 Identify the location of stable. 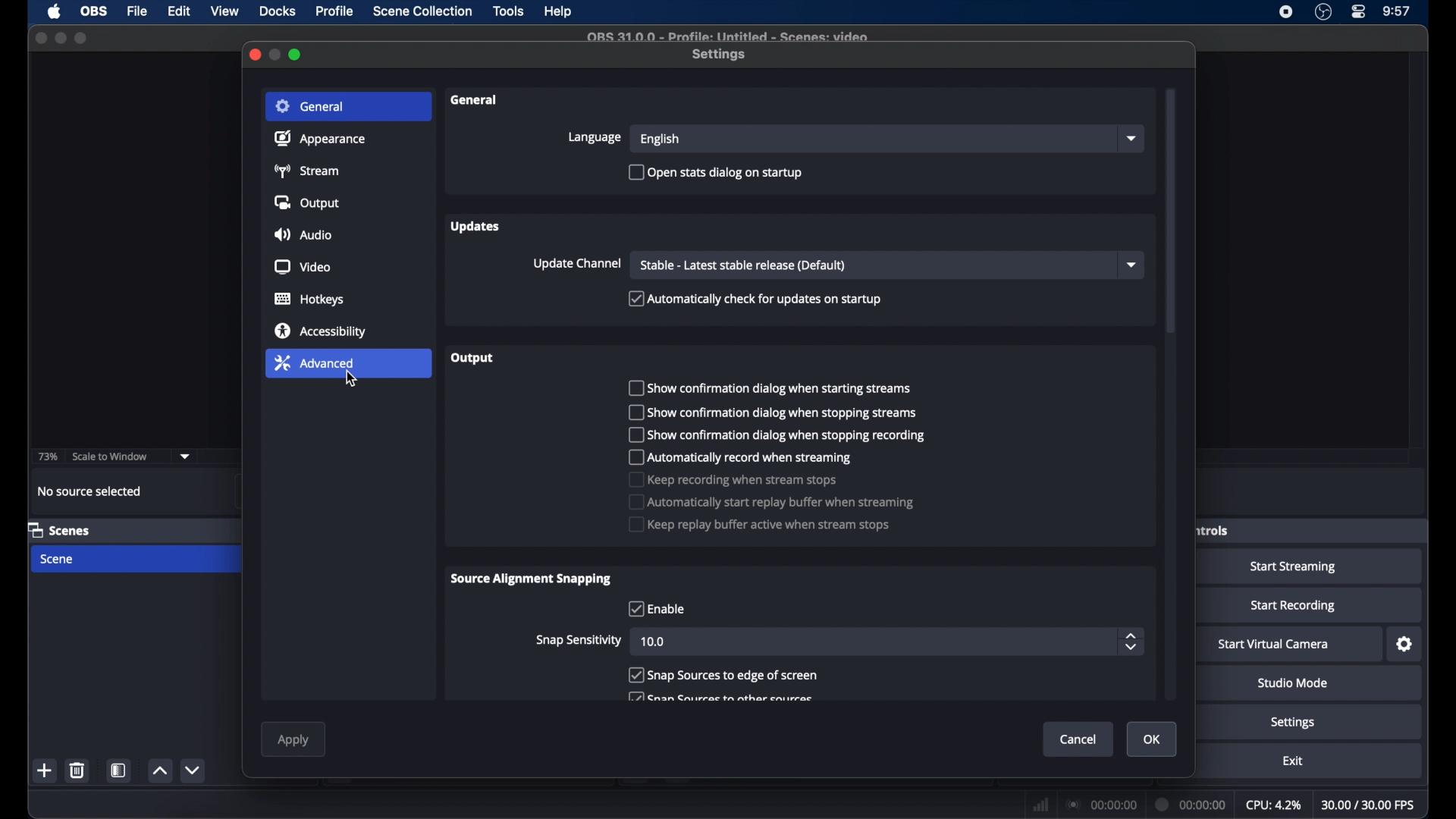
(742, 265).